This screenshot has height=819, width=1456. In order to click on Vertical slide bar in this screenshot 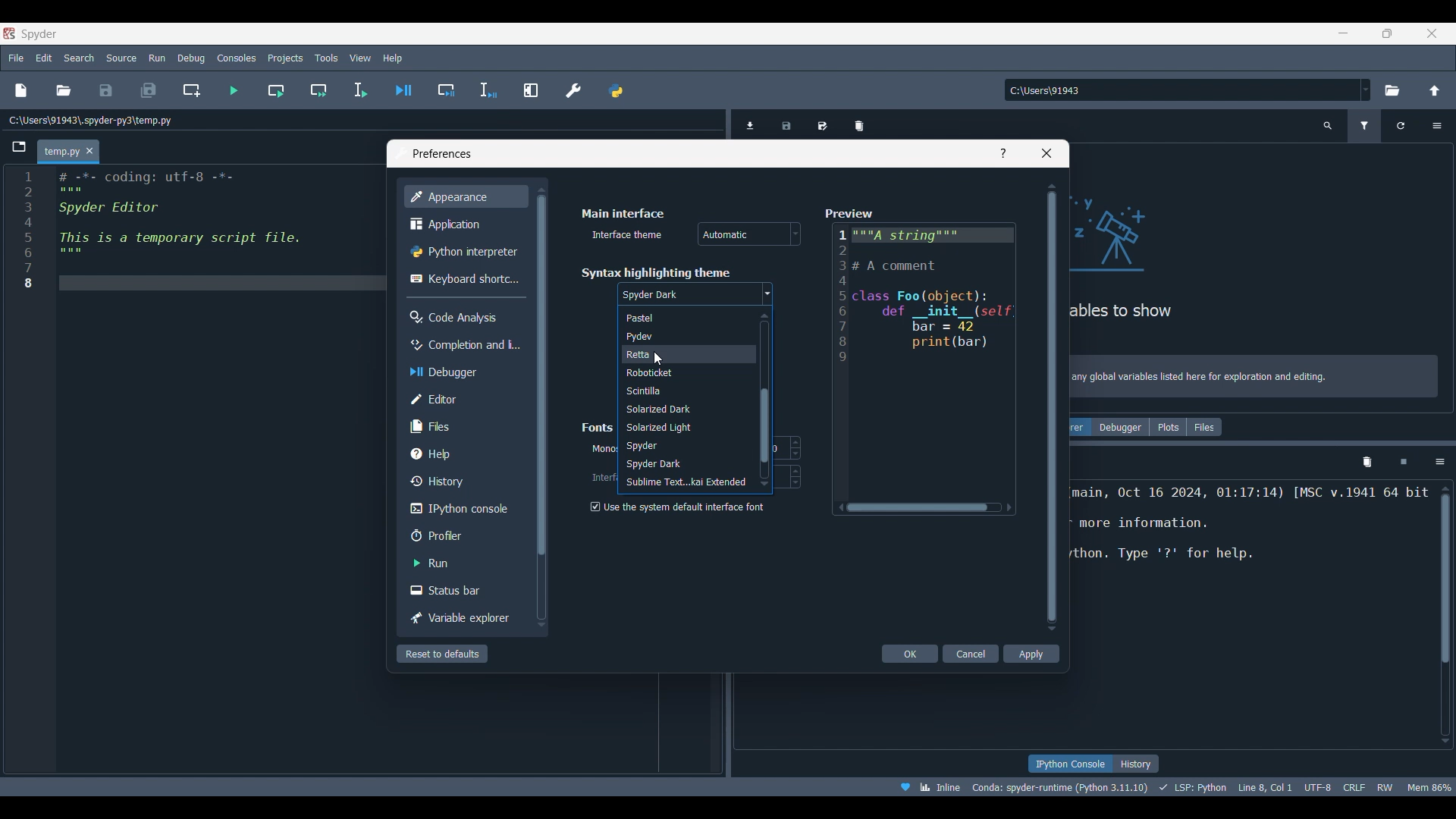, I will do `click(540, 406)`.